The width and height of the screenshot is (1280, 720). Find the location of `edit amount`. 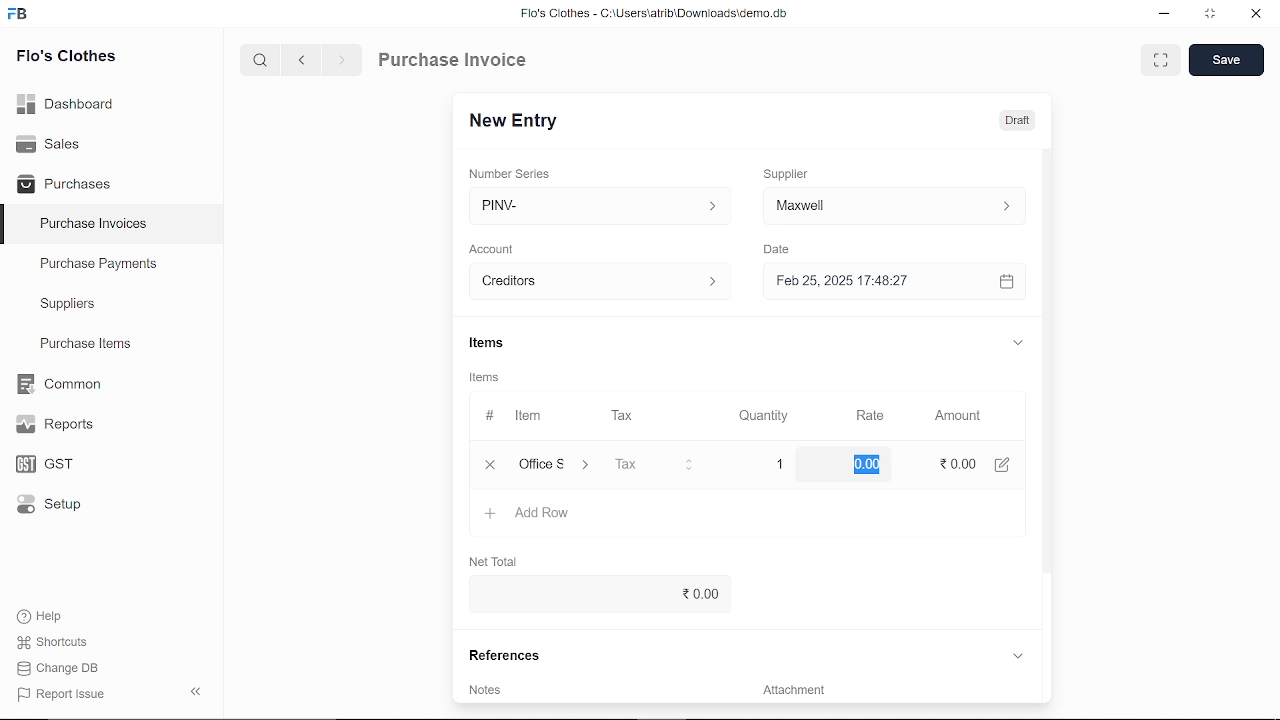

edit amount is located at coordinates (1009, 464).